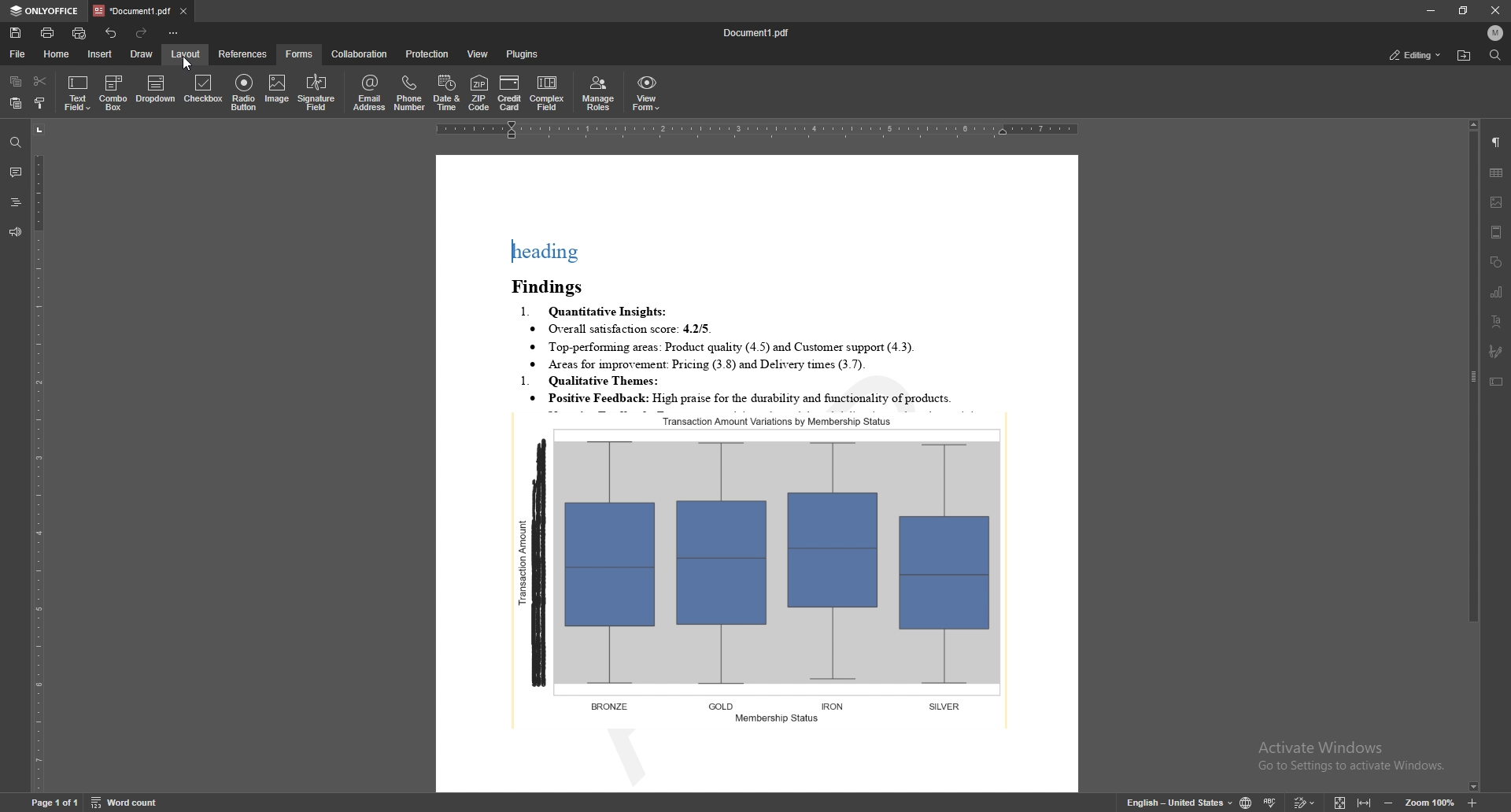  Describe the element at coordinates (1472, 803) in the screenshot. I see `zoom in` at that location.